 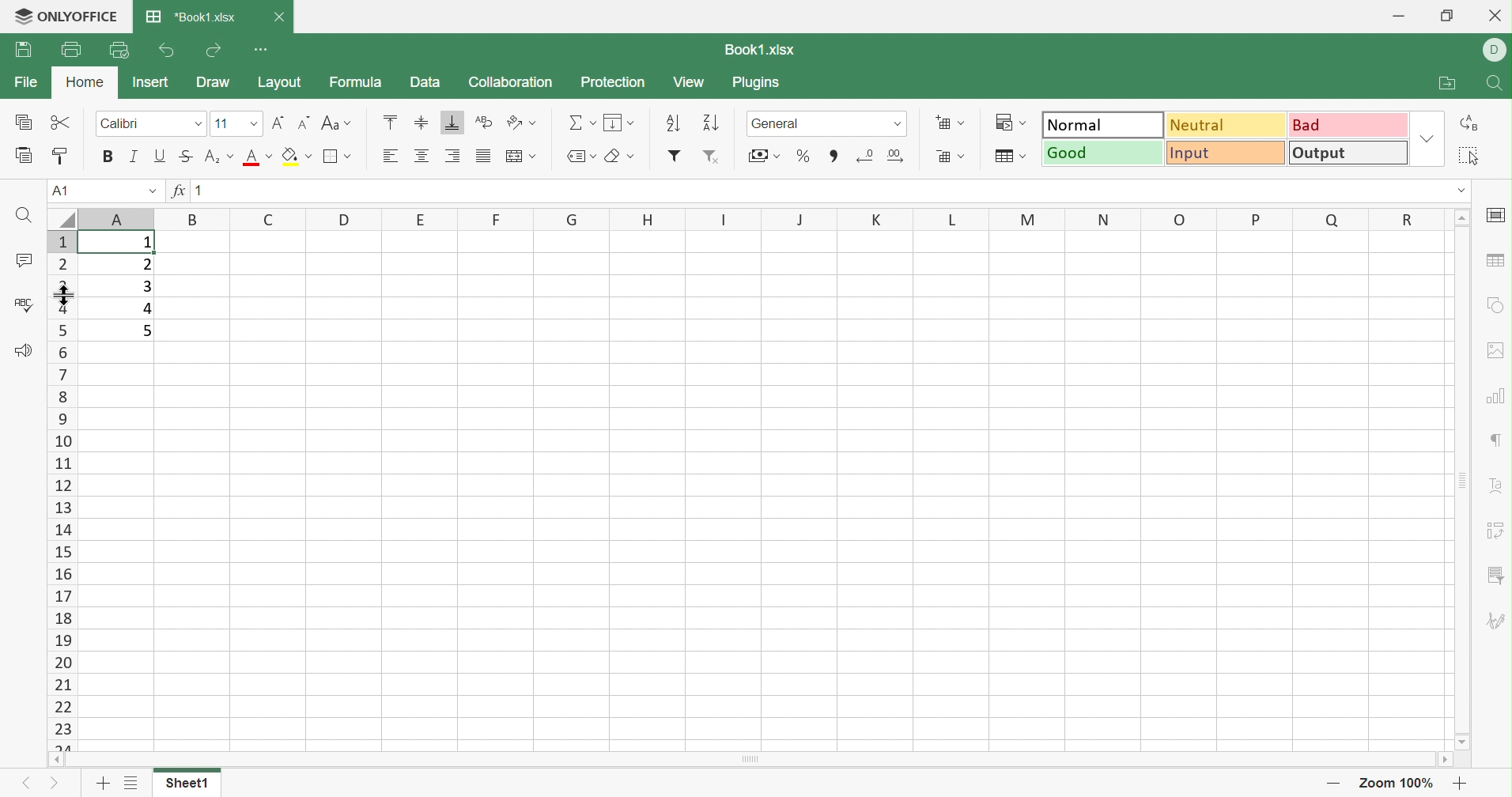 I want to click on ONLYOFFICE, so click(x=64, y=14).